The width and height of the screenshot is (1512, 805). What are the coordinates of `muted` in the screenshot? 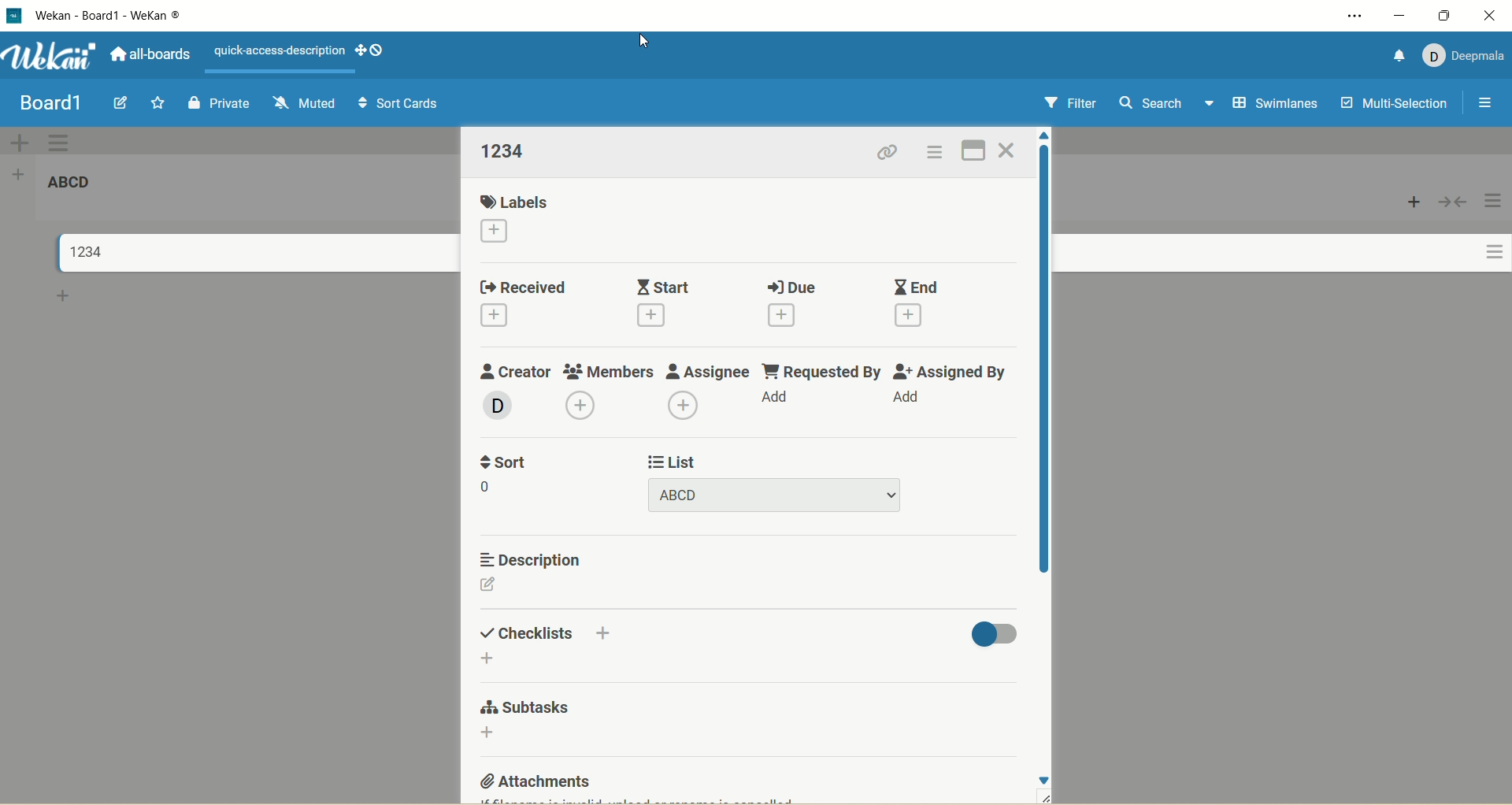 It's located at (303, 104).